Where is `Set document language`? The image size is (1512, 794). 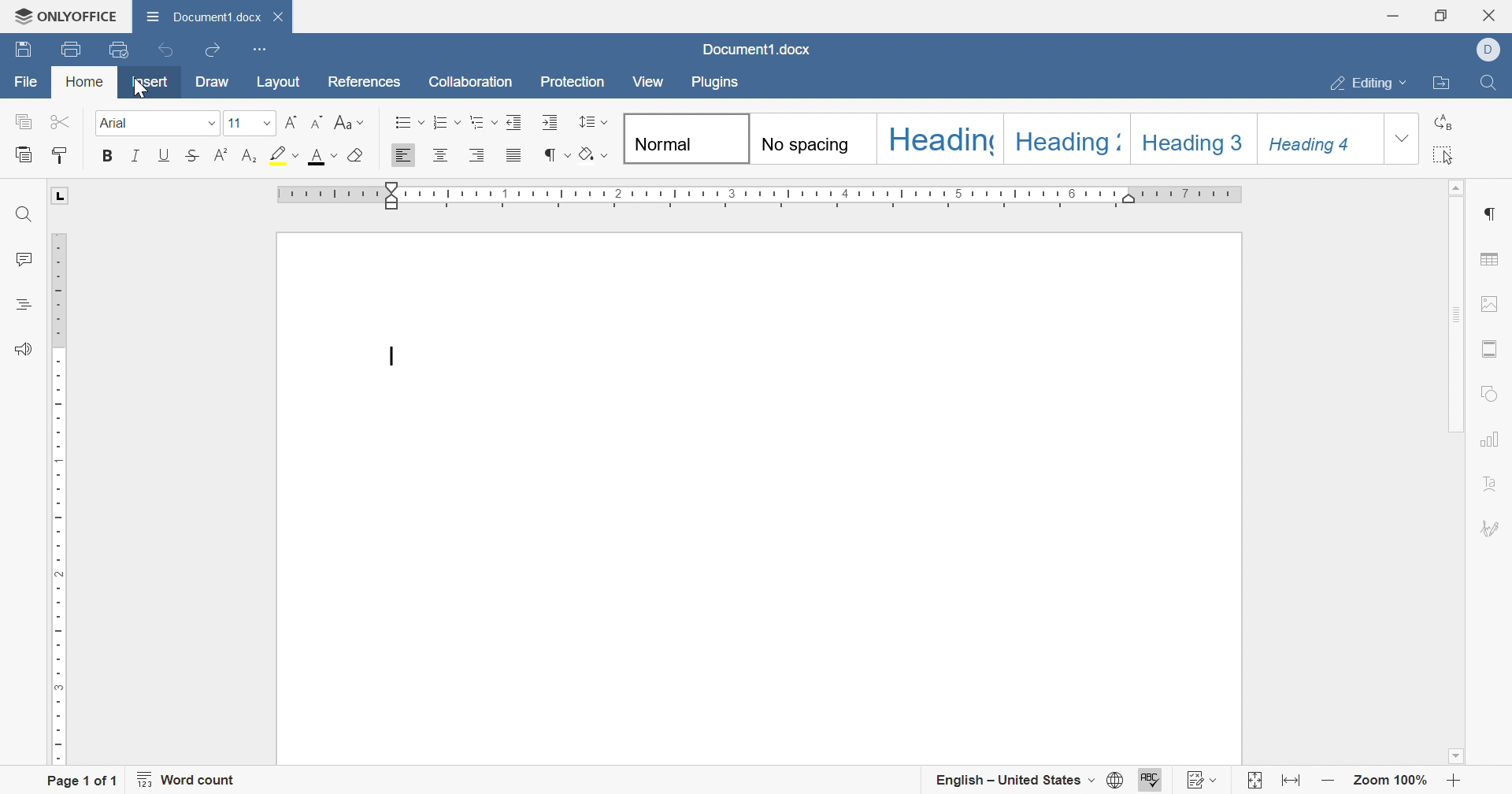 Set document language is located at coordinates (1116, 779).